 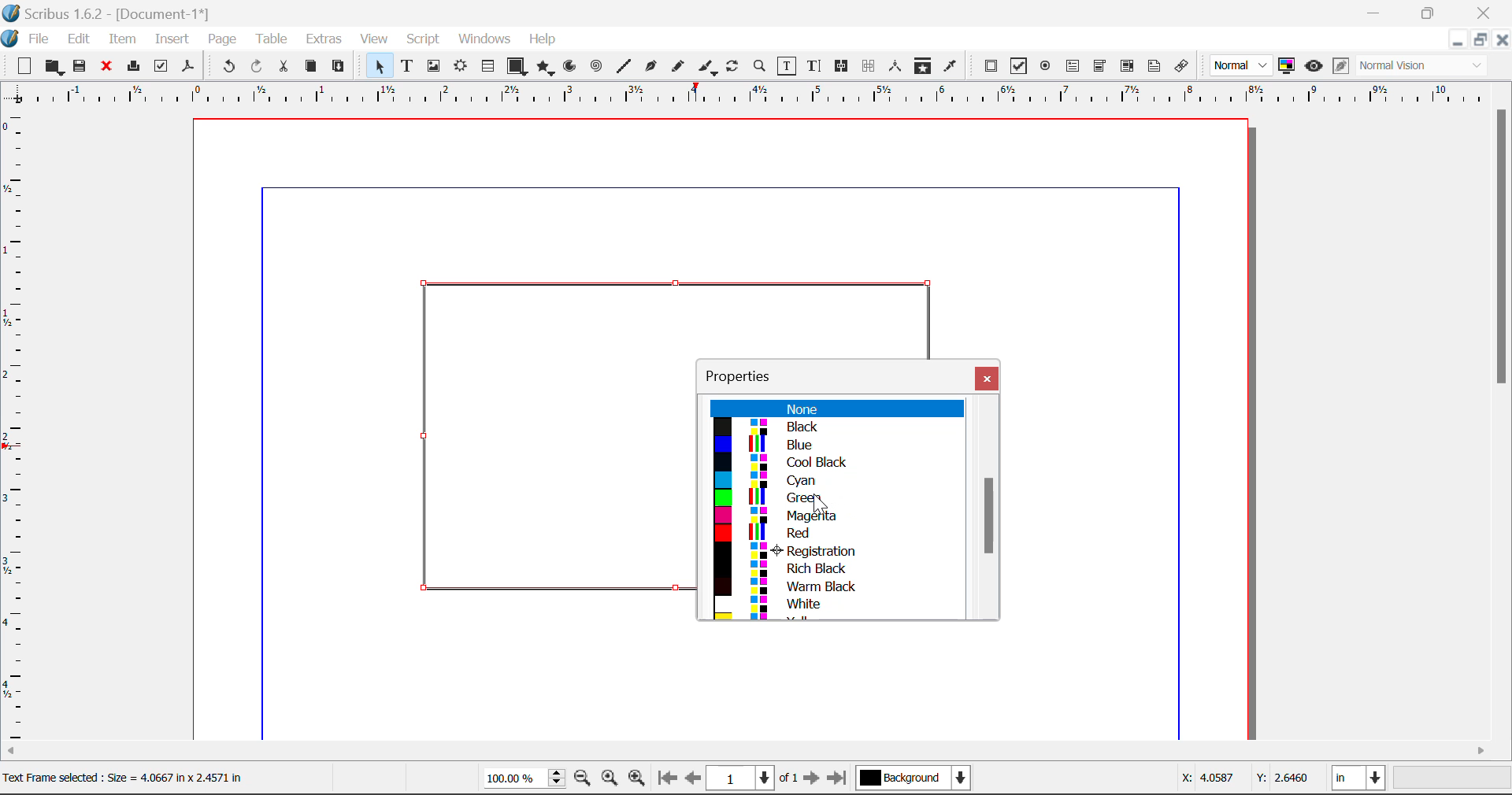 I want to click on Close, so click(x=1485, y=13).